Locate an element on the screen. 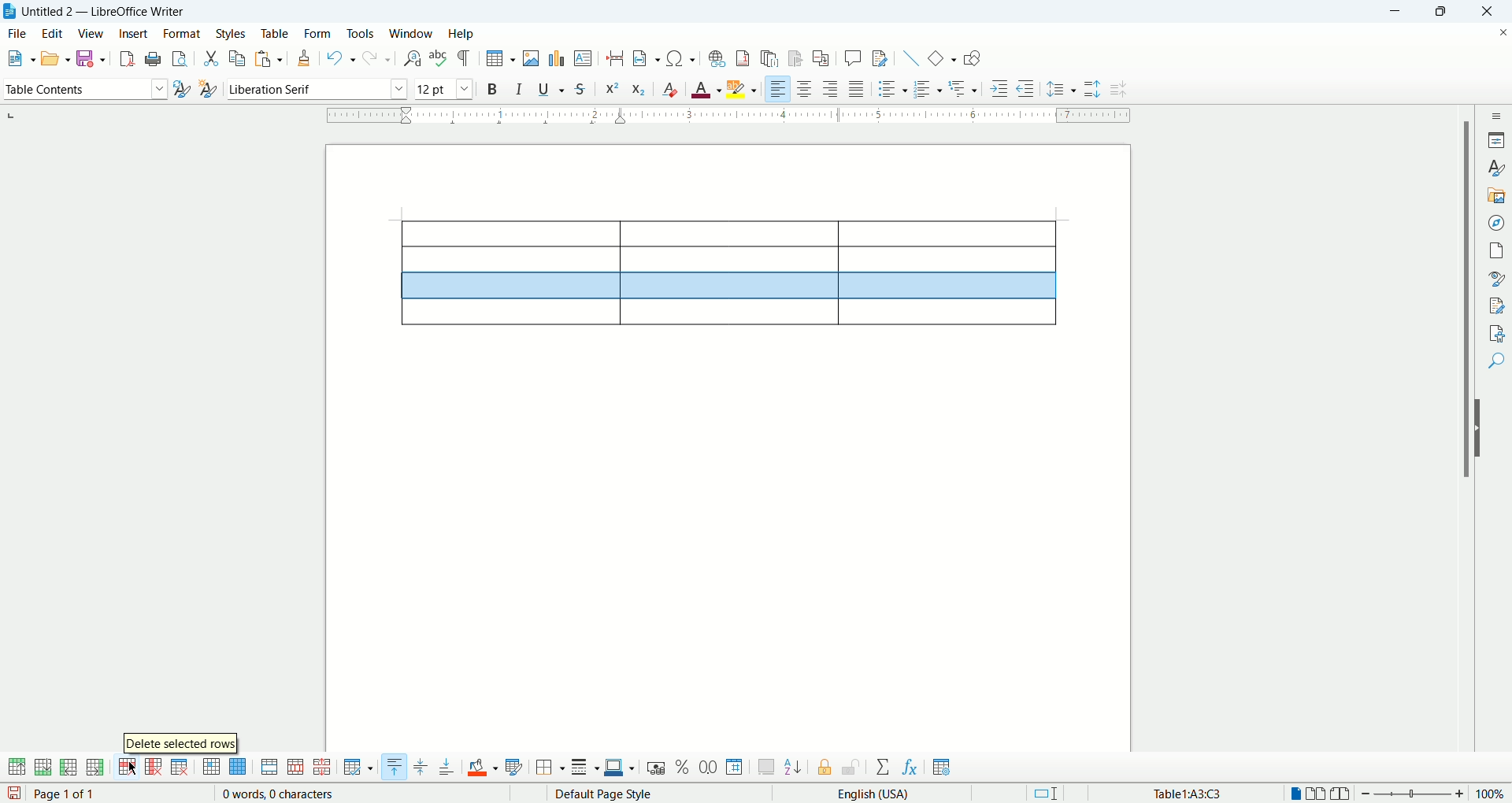 The width and height of the screenshot is (1512, 803). break page is located at coordinates (613, 54).